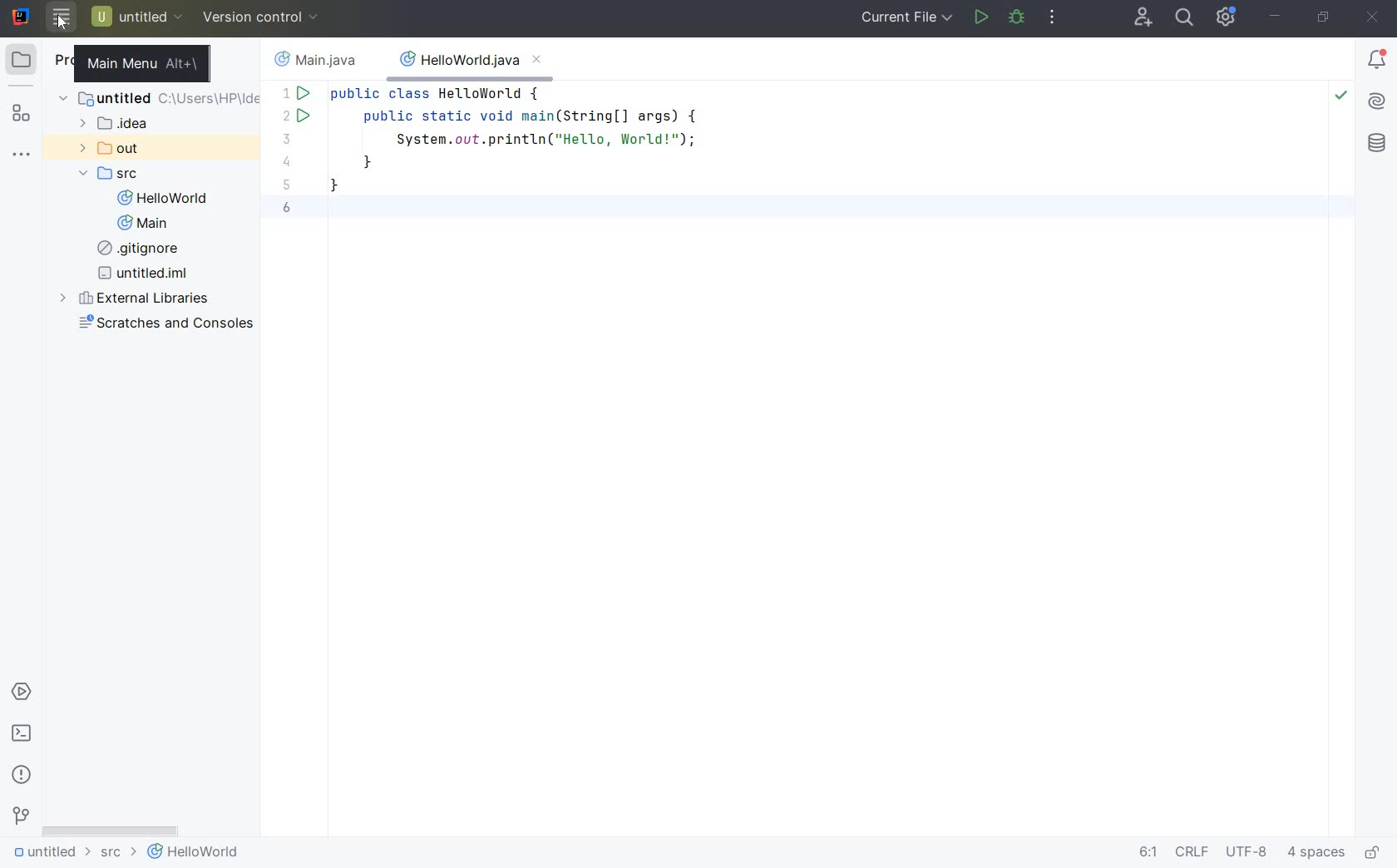 The image size is (1397, 868). I want to click on IDE and Project Settings, so click(1229, 18).